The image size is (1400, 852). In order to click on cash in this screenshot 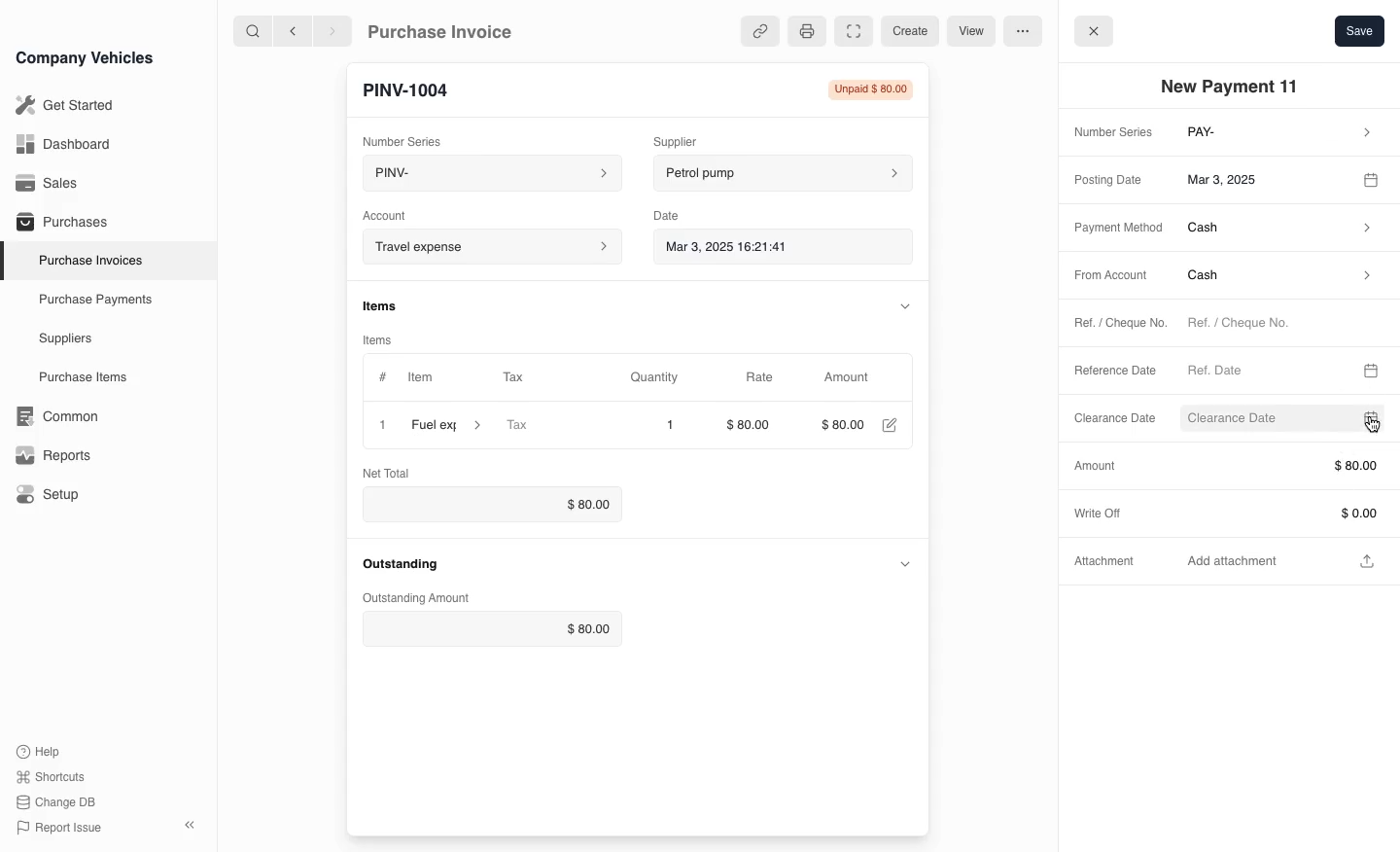, I will do `click(1280, 231)`.